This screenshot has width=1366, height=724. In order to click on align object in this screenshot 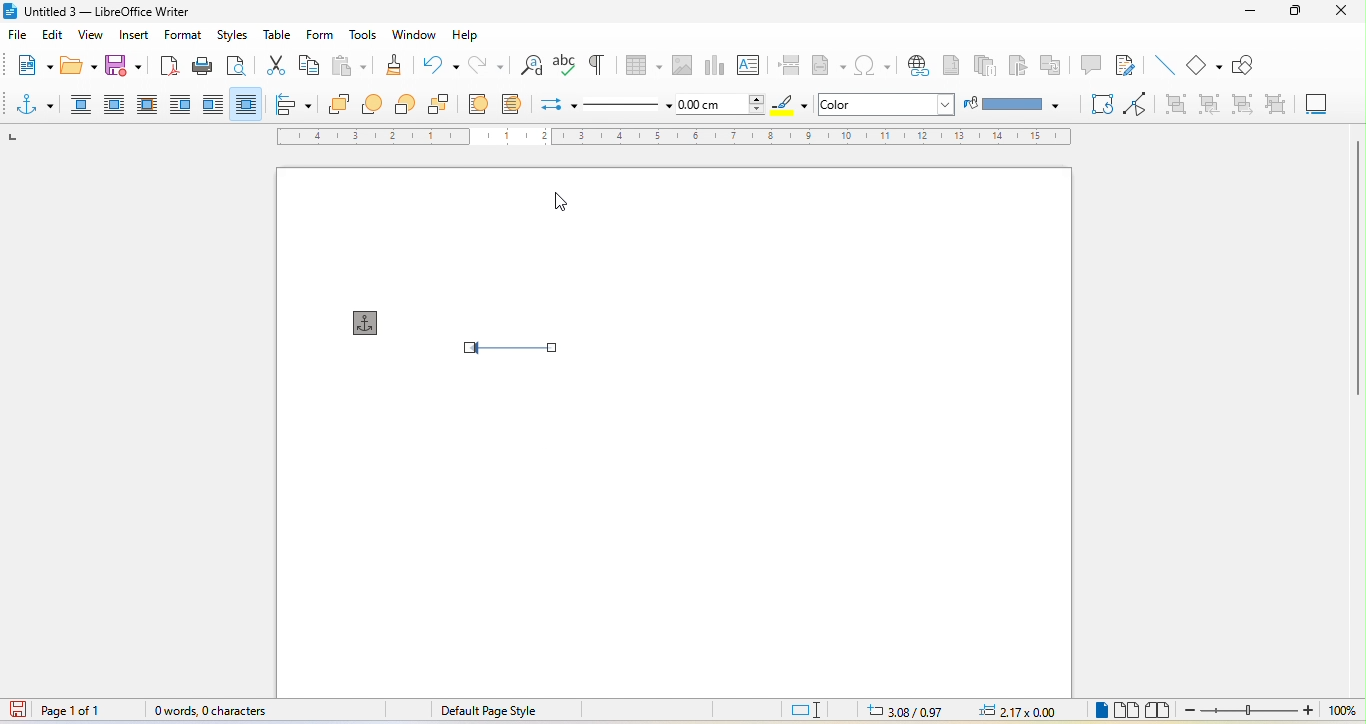, I will do `click(298, 104)`.